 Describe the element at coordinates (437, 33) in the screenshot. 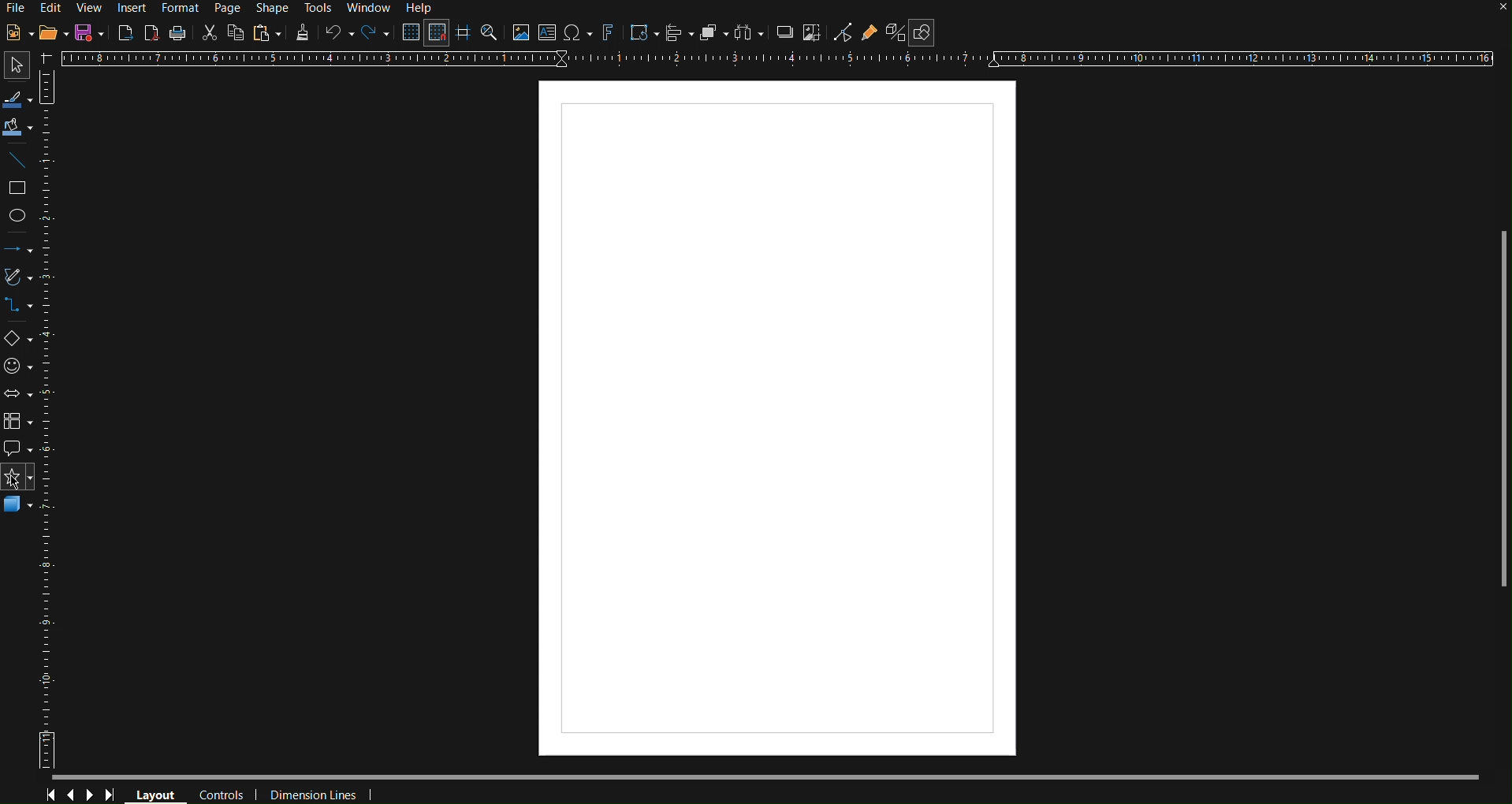

I see `Snap to Grid` at that location.